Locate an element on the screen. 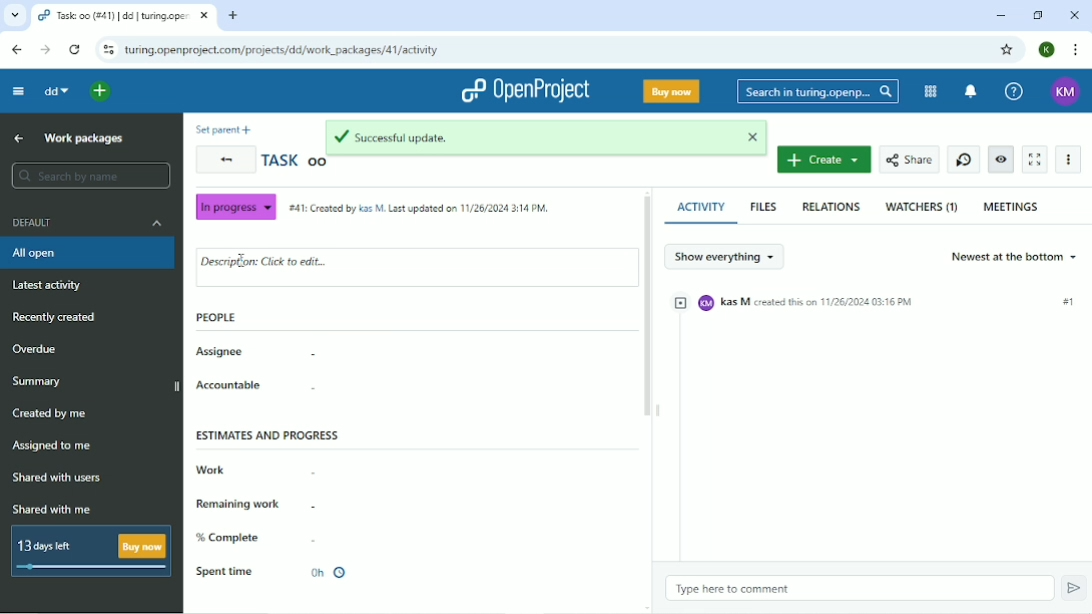 The height and width of the screenshot is (614, 1092). KM is located at coordinates (1066, 91).